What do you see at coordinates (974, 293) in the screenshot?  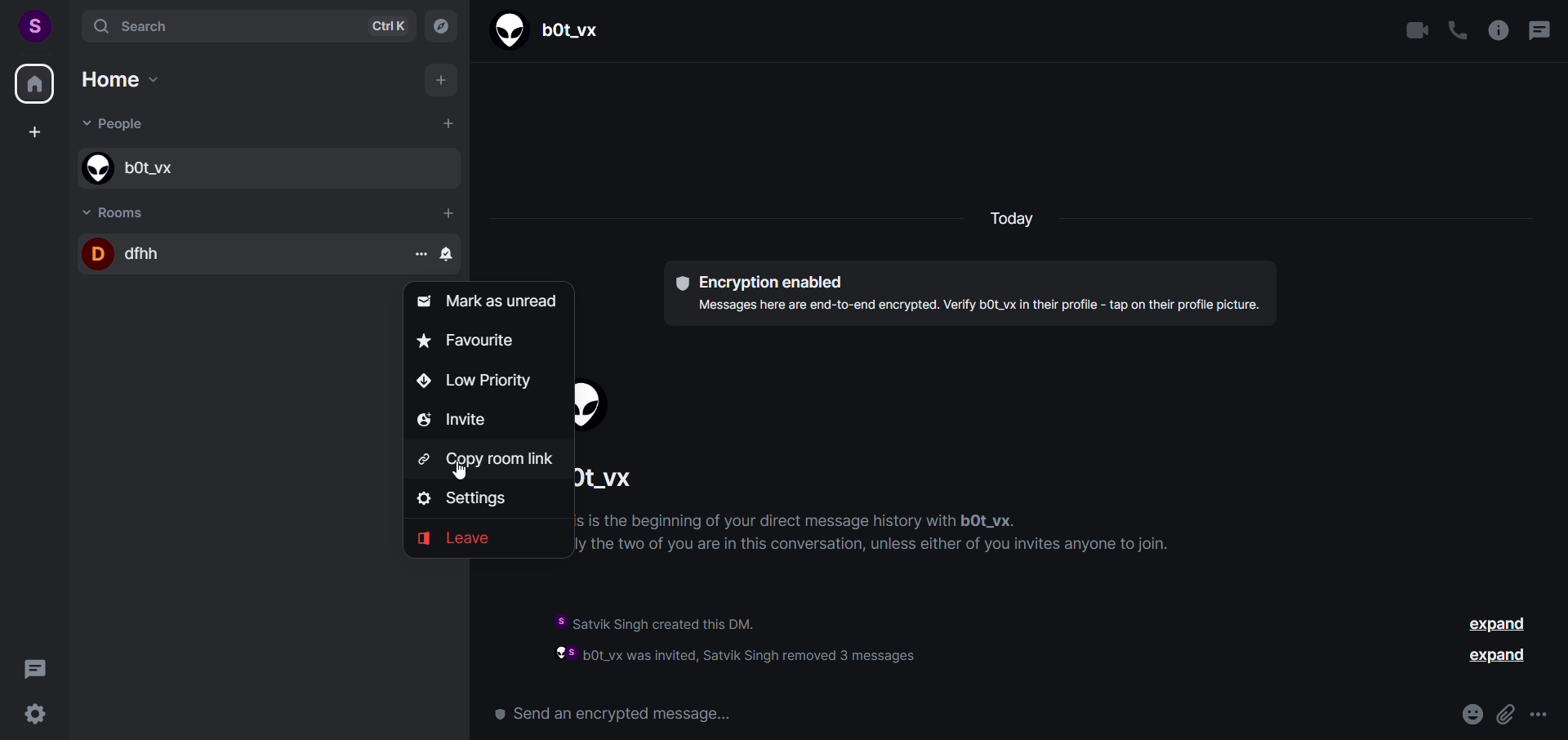 I see `text` at bounding box center [974, 293].